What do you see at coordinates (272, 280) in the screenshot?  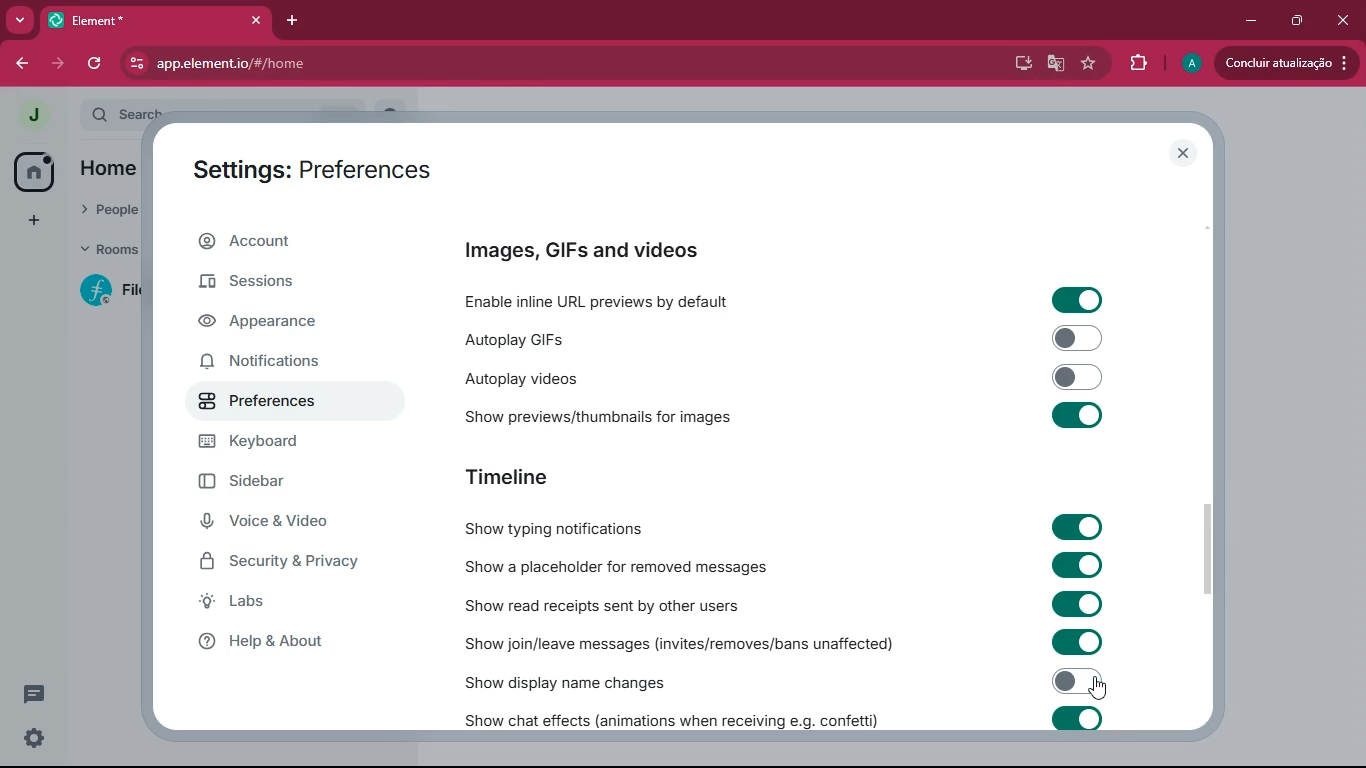 I see `sessions` at bounding box center [272, 280].